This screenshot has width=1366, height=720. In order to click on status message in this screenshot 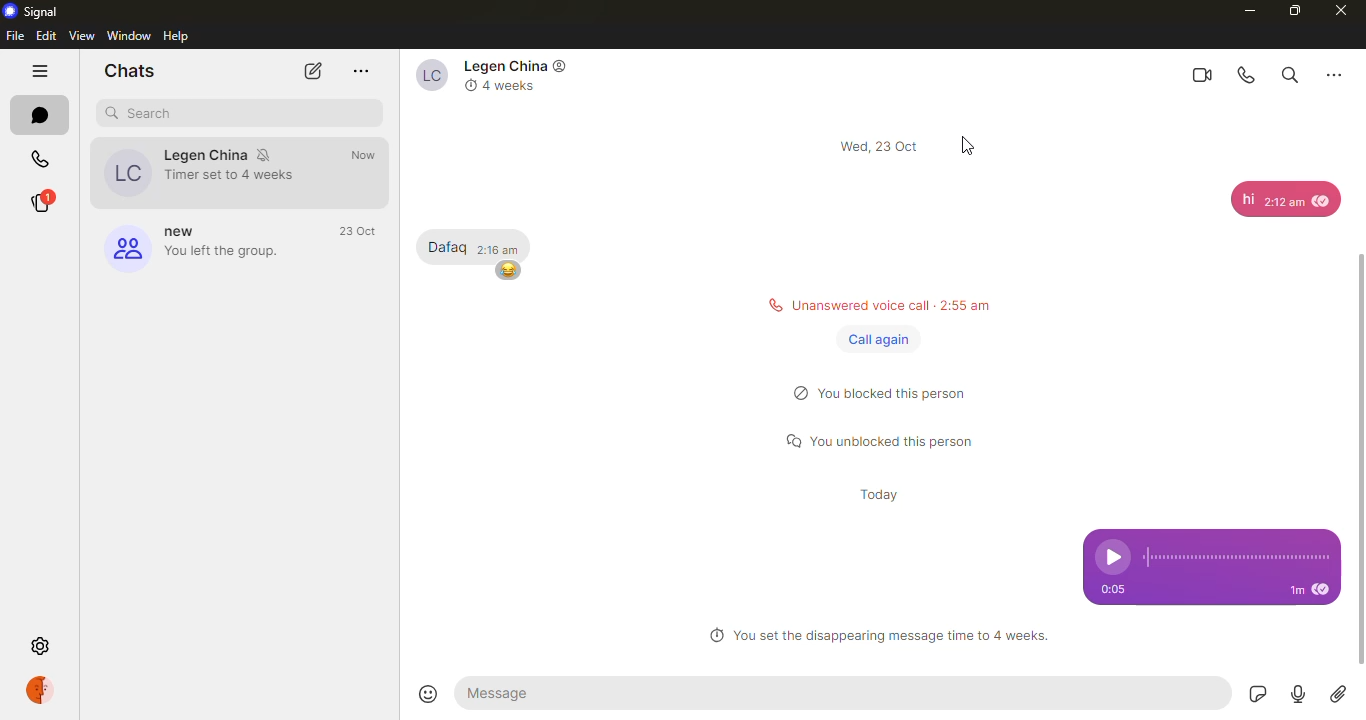, I will do `click(880, 441)`.